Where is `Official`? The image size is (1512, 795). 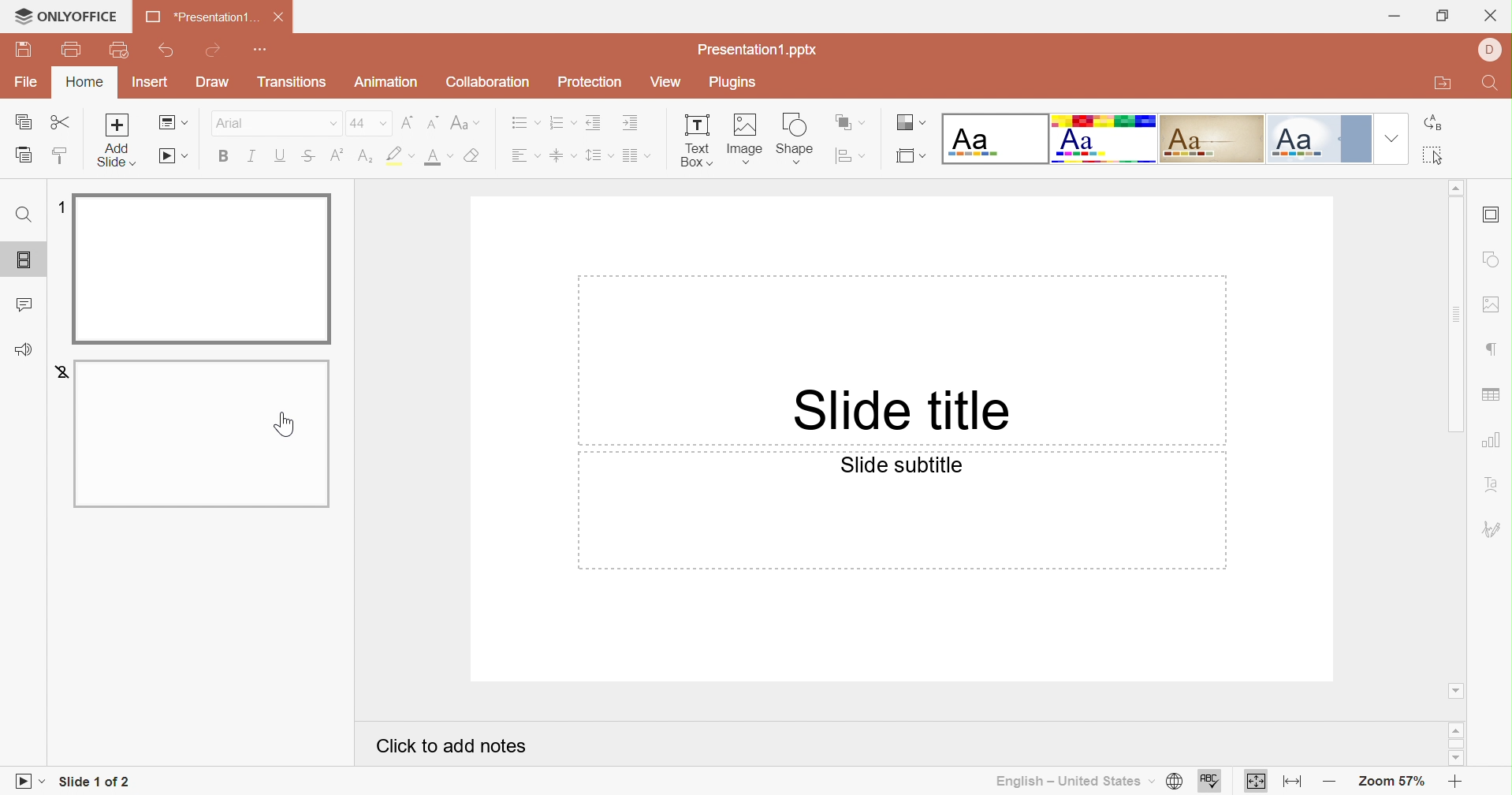 Official is located at coordinates (1321, 140).